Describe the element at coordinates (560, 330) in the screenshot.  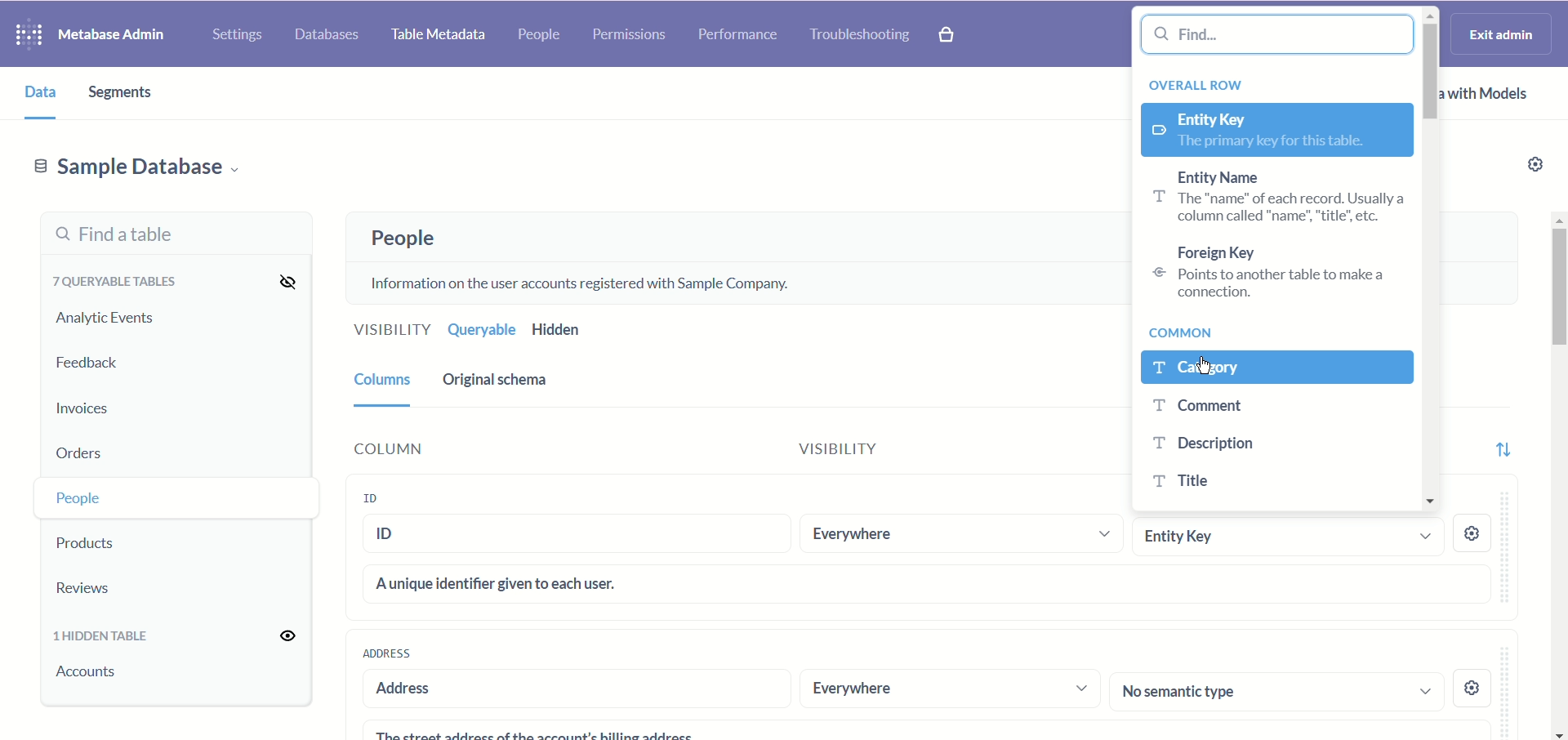
I see `Hidden` at that location.